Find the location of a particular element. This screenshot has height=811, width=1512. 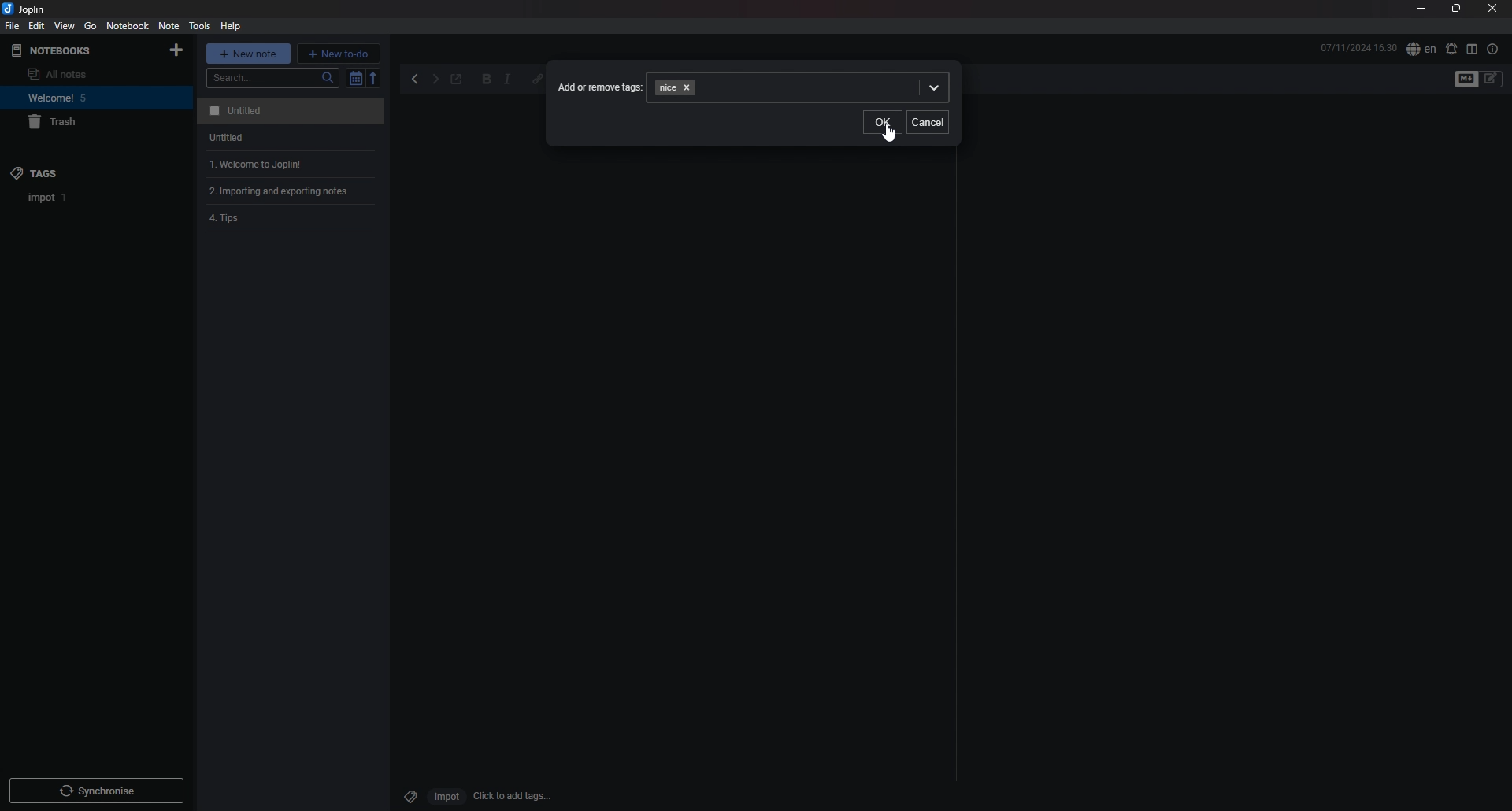

spell check is located at coordinates (1421, 50).